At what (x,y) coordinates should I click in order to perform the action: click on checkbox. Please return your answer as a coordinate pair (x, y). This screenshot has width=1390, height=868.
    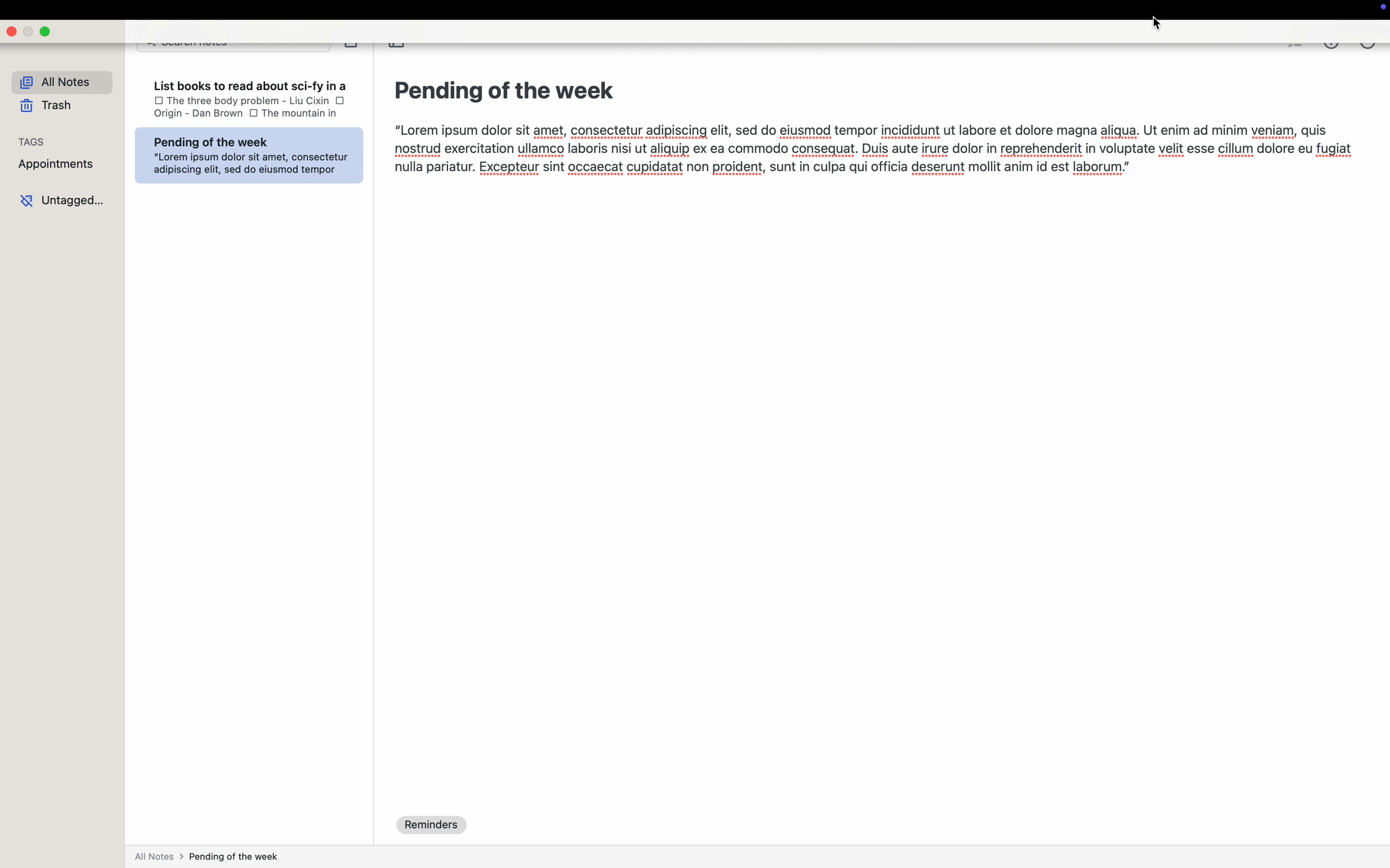
    Looking at the image, I should click on (340, 102).